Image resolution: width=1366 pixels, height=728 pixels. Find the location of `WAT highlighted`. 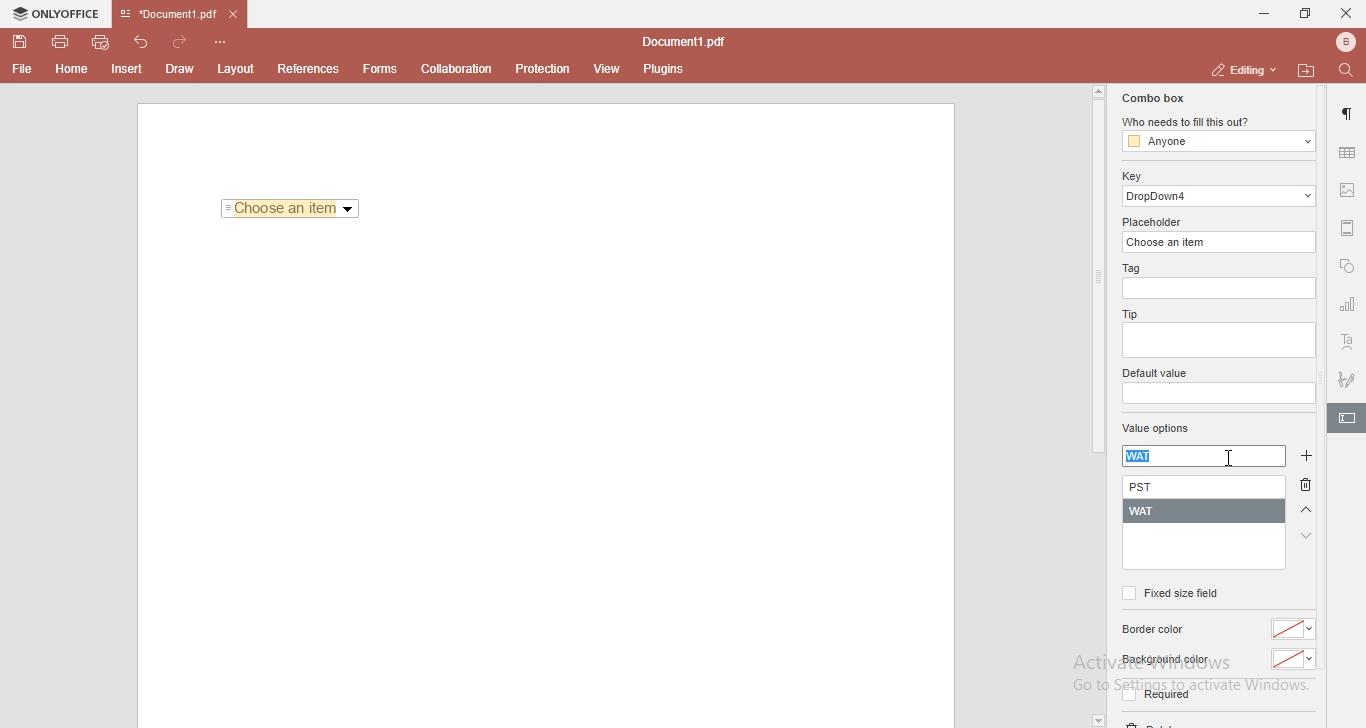

WAT highlighted is located at coordinates (1146, 455).